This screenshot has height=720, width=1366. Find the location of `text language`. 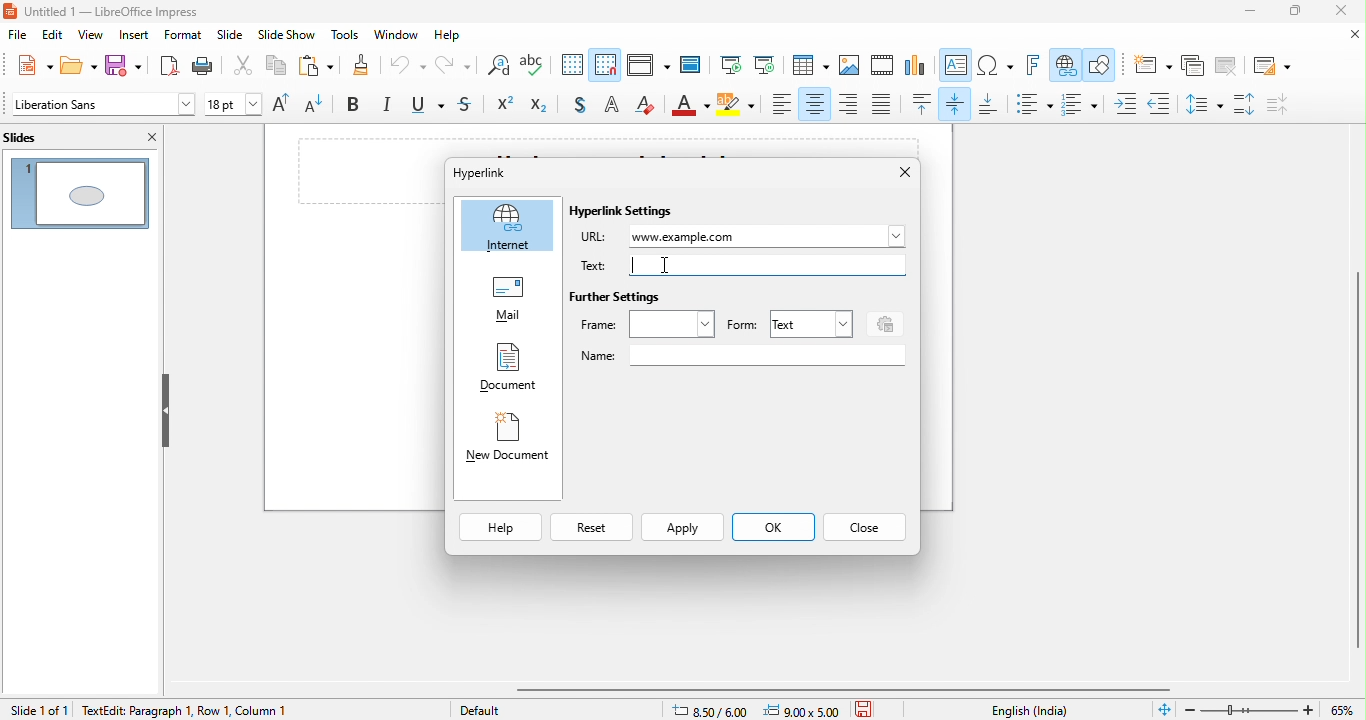

text language is located at coordinates (1032, 710).